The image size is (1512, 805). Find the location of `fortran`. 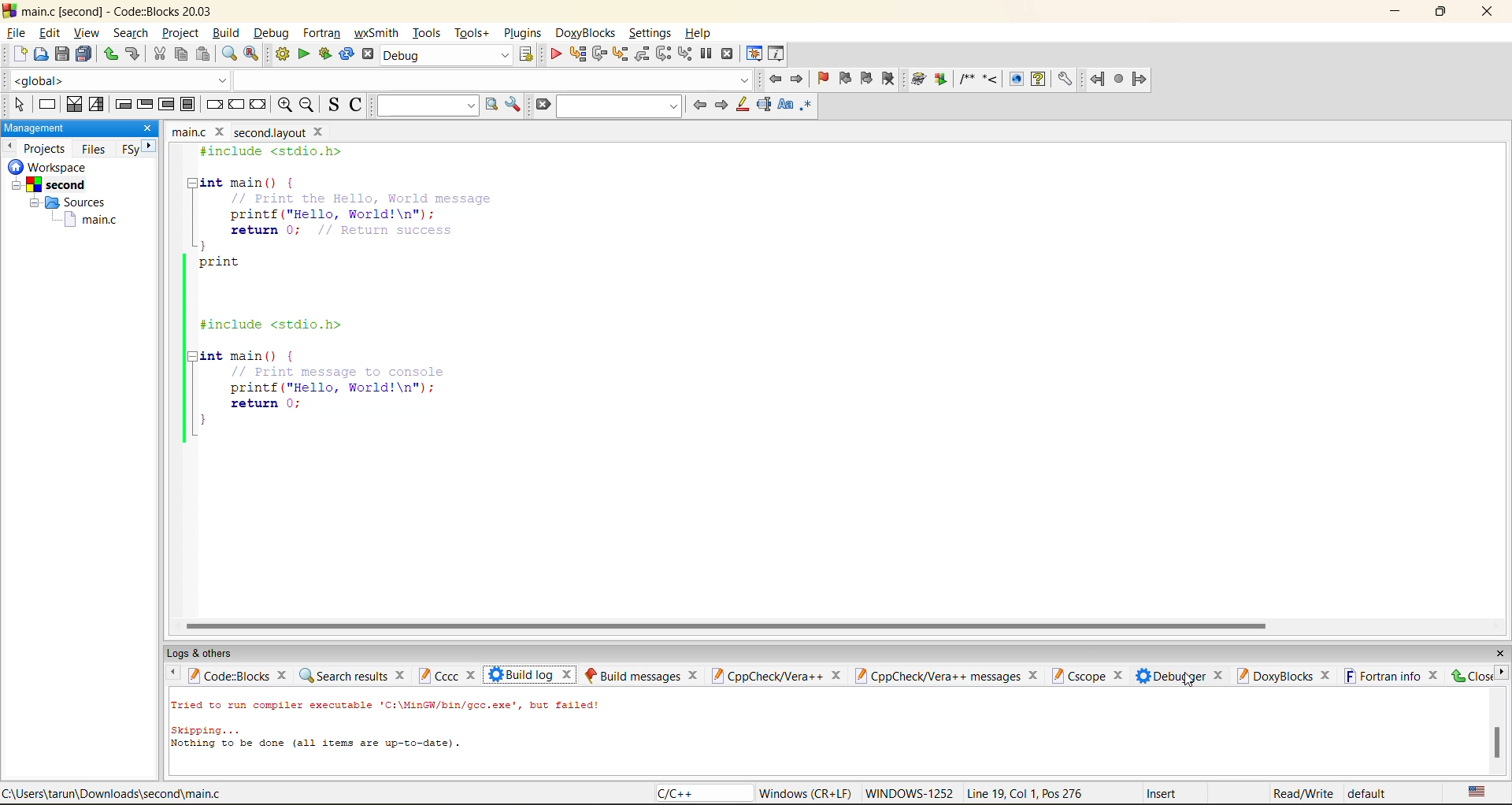

fortran is located at coordinates (322, 33).